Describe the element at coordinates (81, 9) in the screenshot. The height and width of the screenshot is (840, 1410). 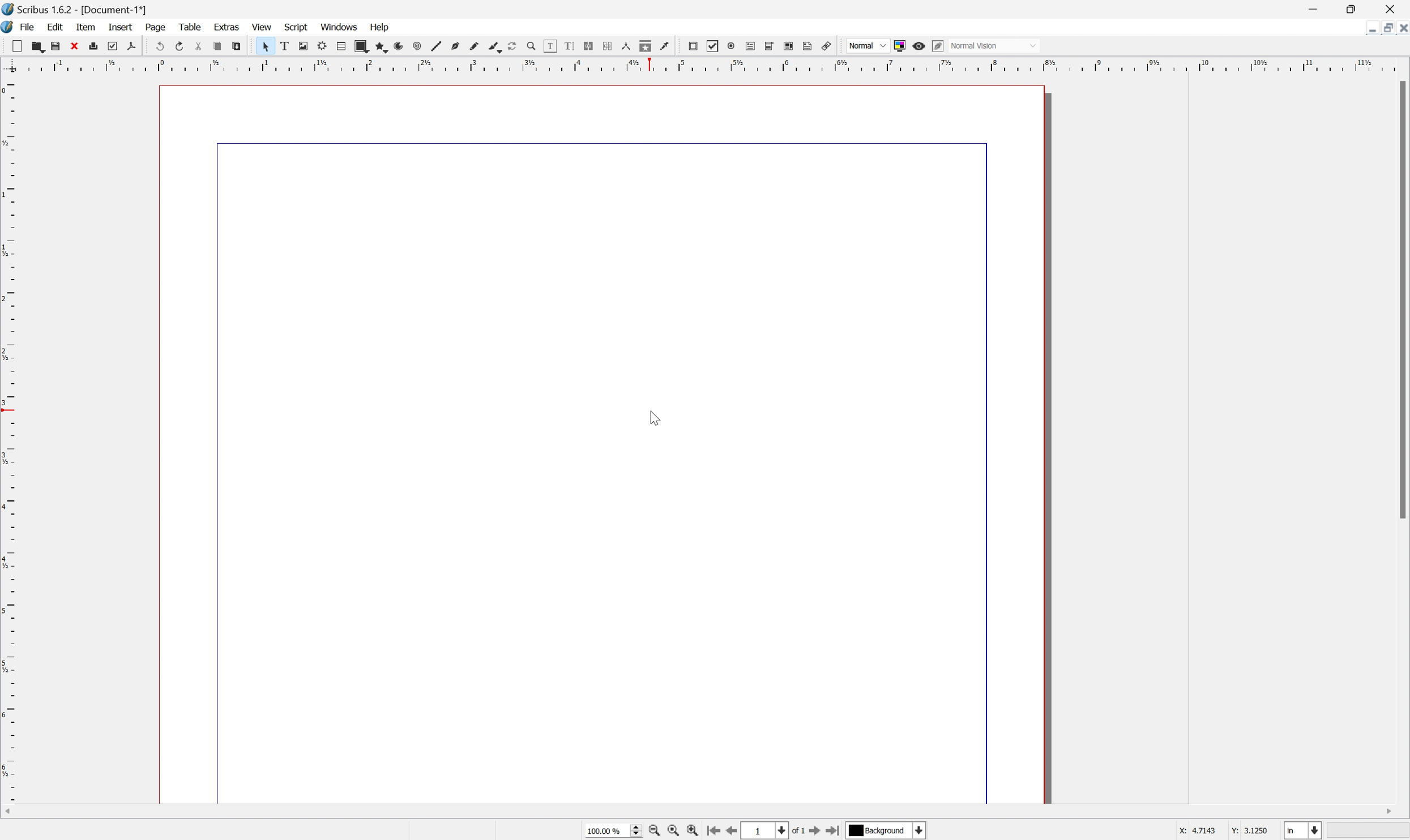
I see `Scribus 1.6.2 - [Document-1*]` at that location.